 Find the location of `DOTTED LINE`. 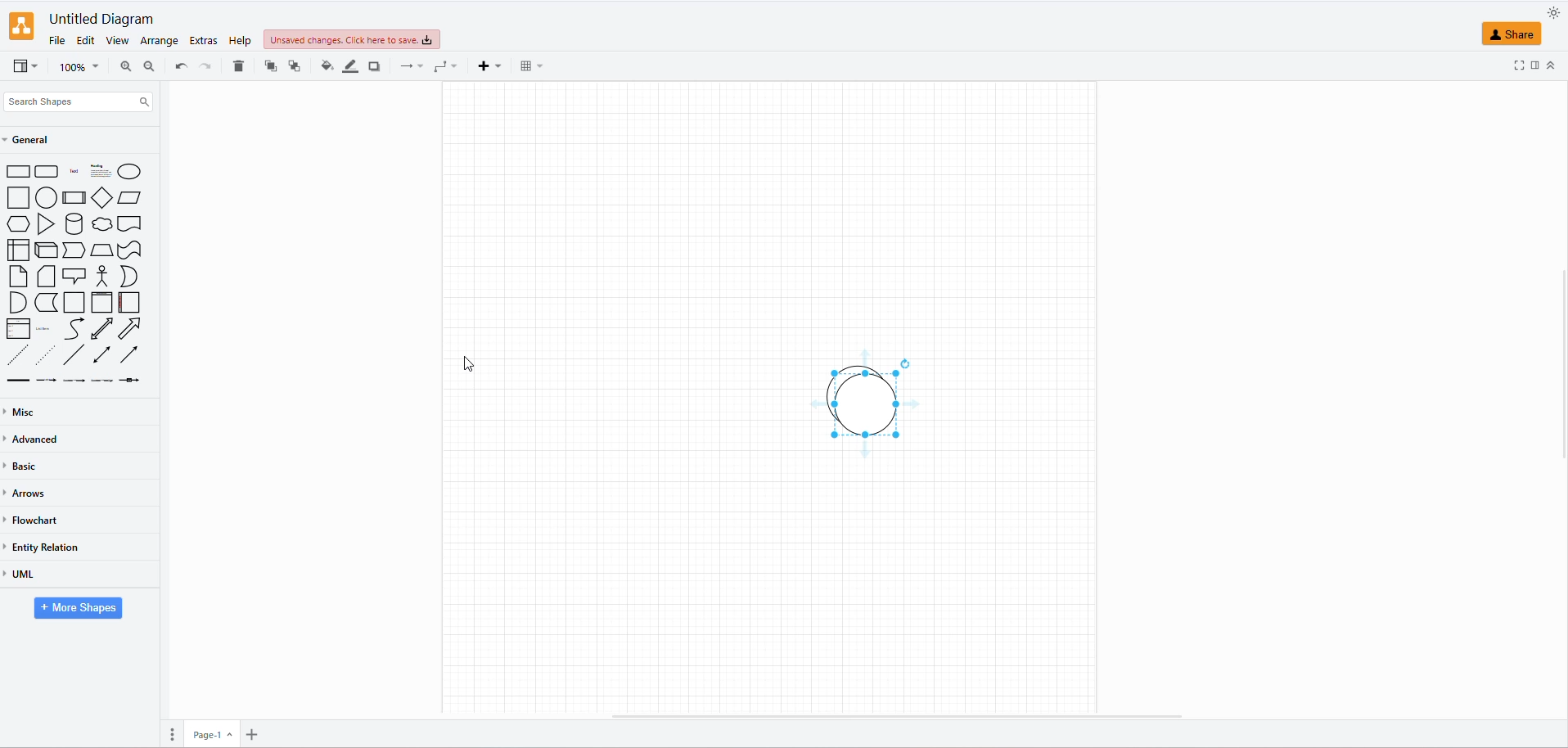

DOTTED LINE is located at coordinates (42, 353).